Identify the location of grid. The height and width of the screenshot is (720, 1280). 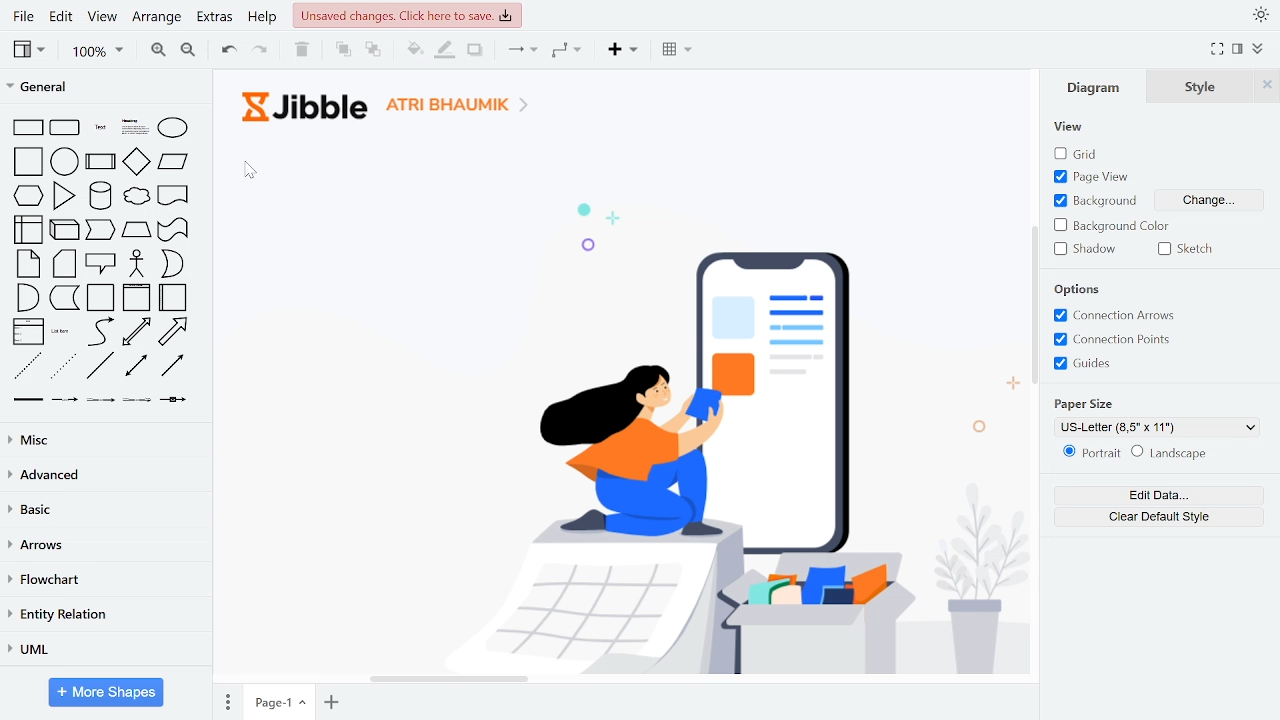
(1084, 154).